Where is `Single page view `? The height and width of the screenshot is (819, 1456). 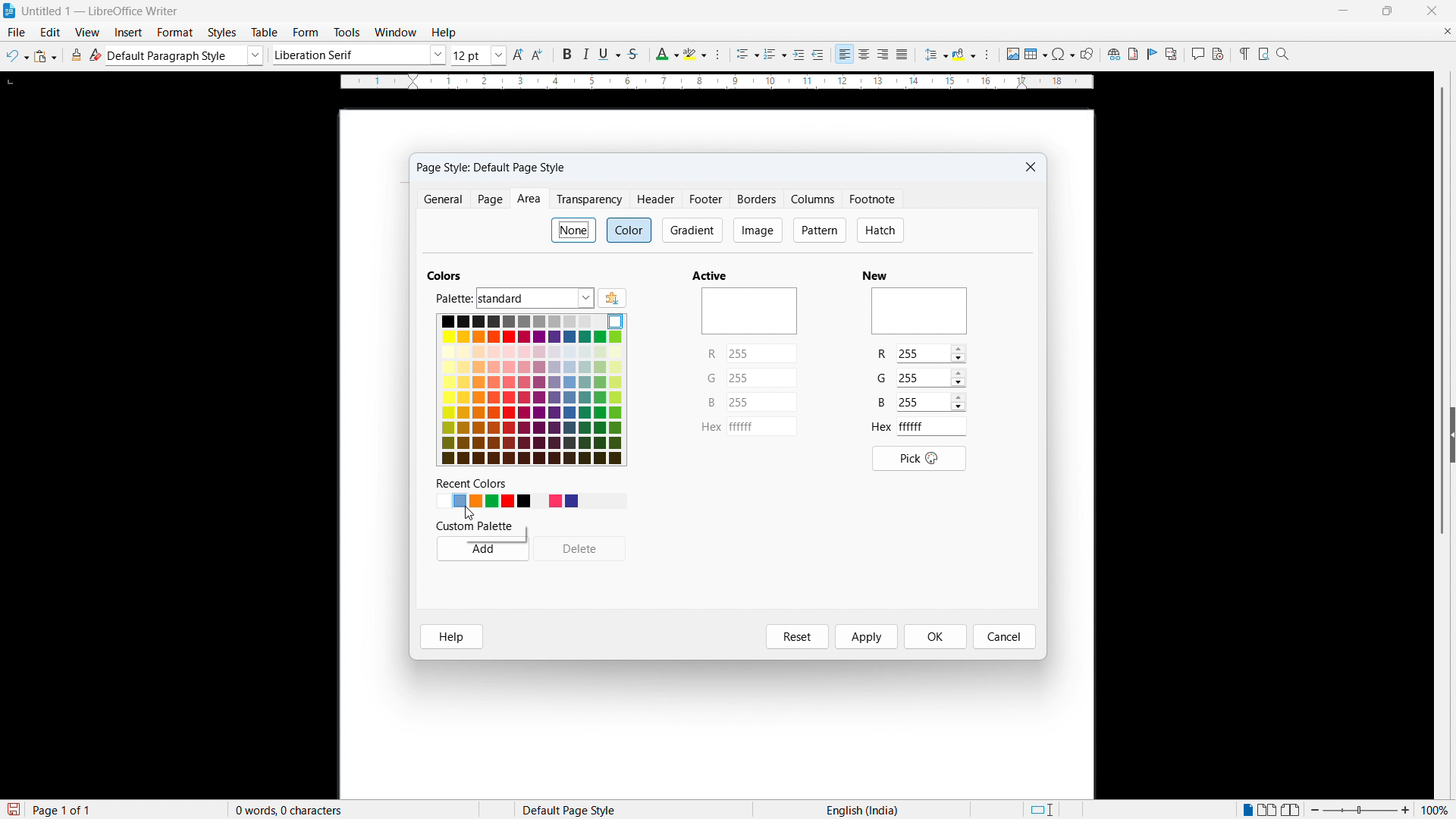
Single page view  is located at coordinates (1249, 808).